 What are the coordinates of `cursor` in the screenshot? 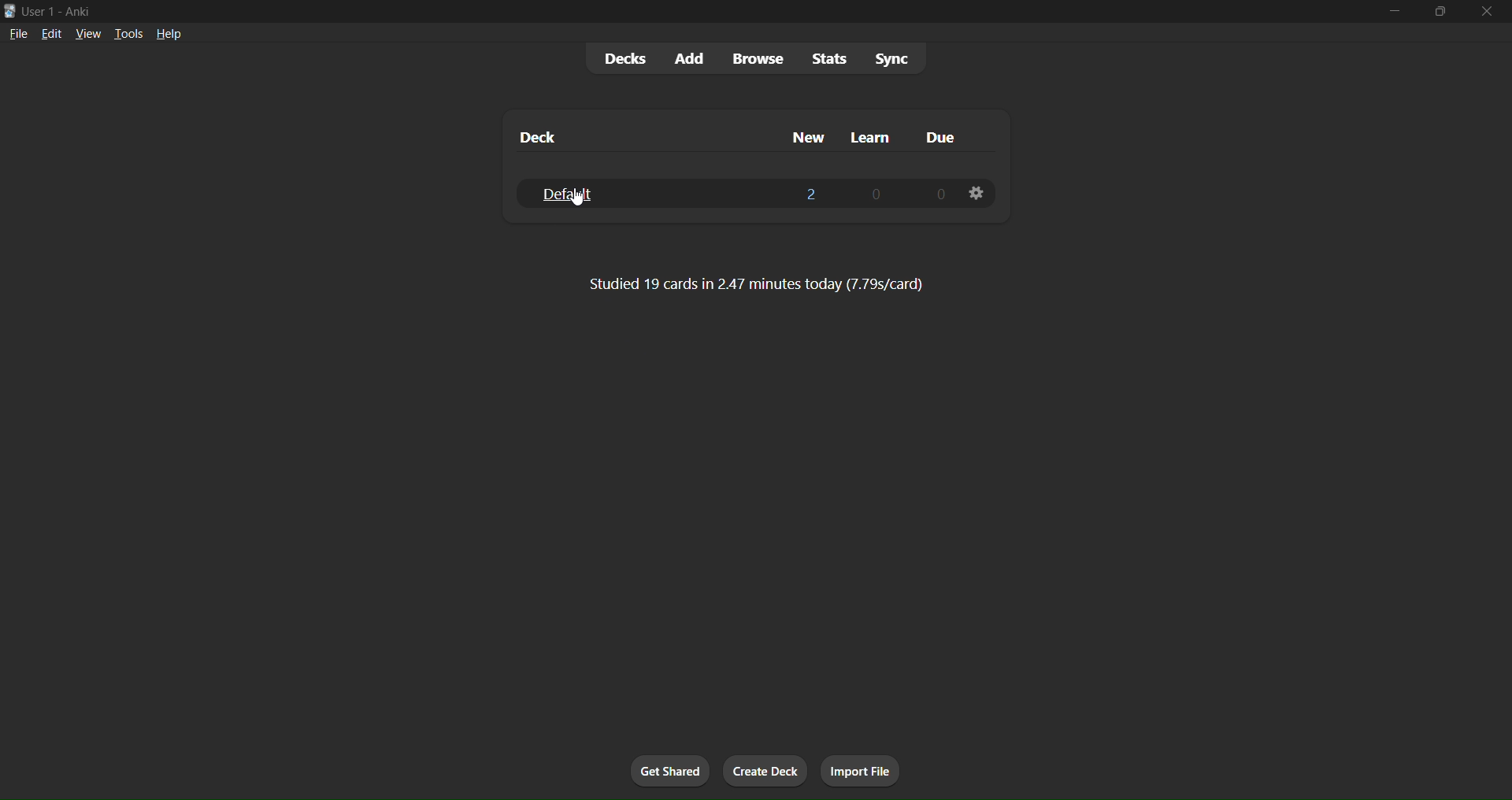 It's located at (576, 194).